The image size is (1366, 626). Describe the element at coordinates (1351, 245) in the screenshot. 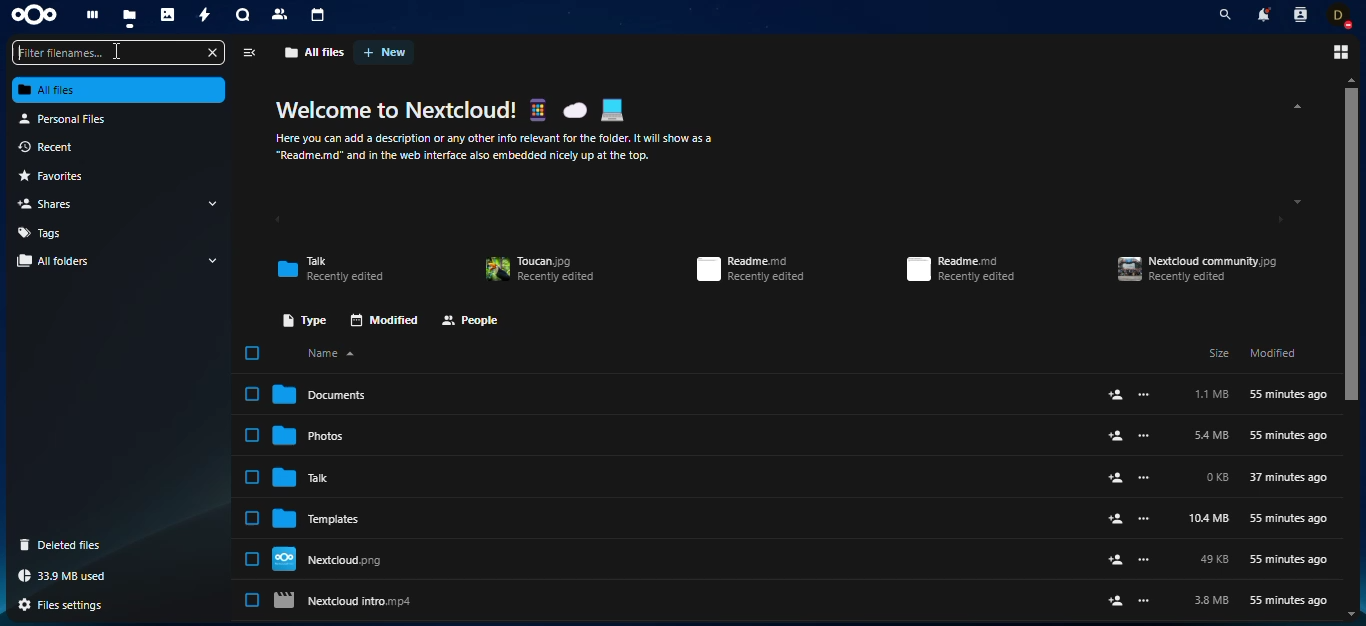

I see `scroll bar` at that location.